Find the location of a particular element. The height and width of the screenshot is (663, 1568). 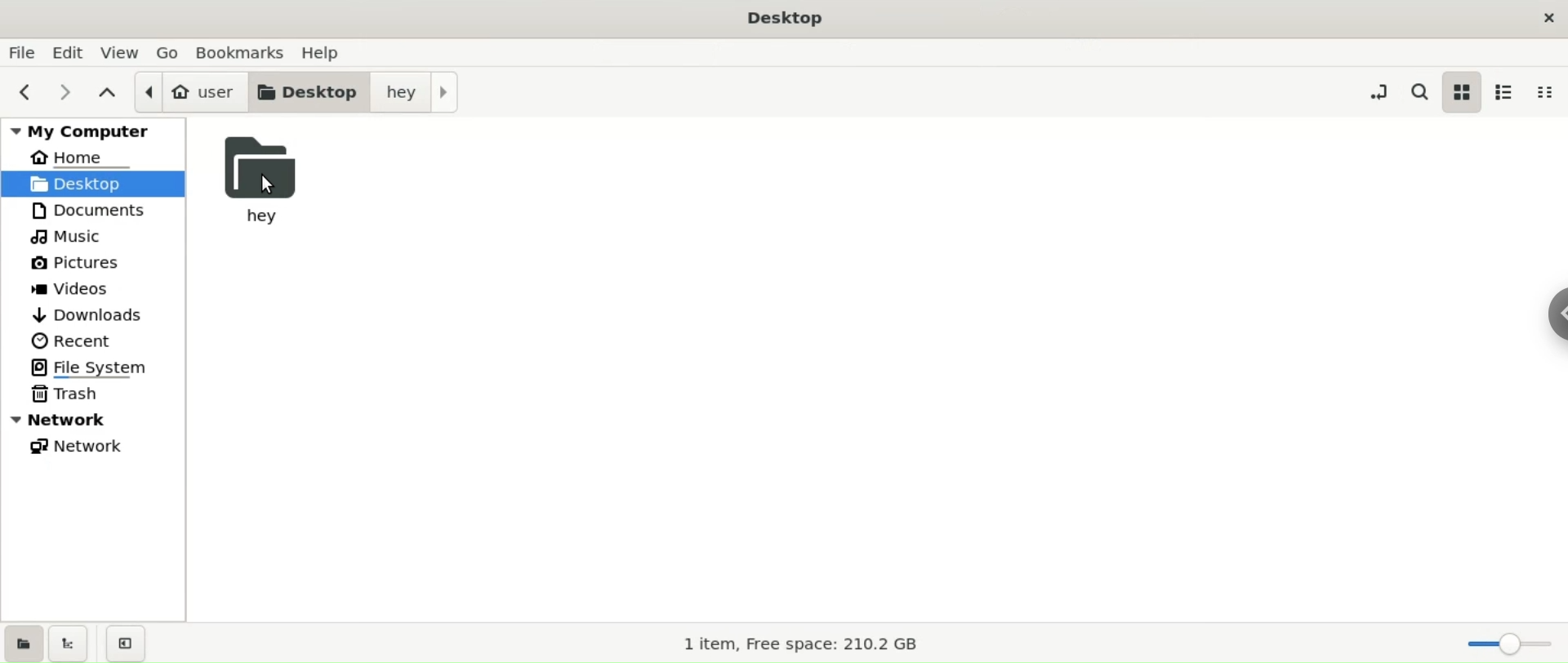

view is located at coordinates (123, 52).